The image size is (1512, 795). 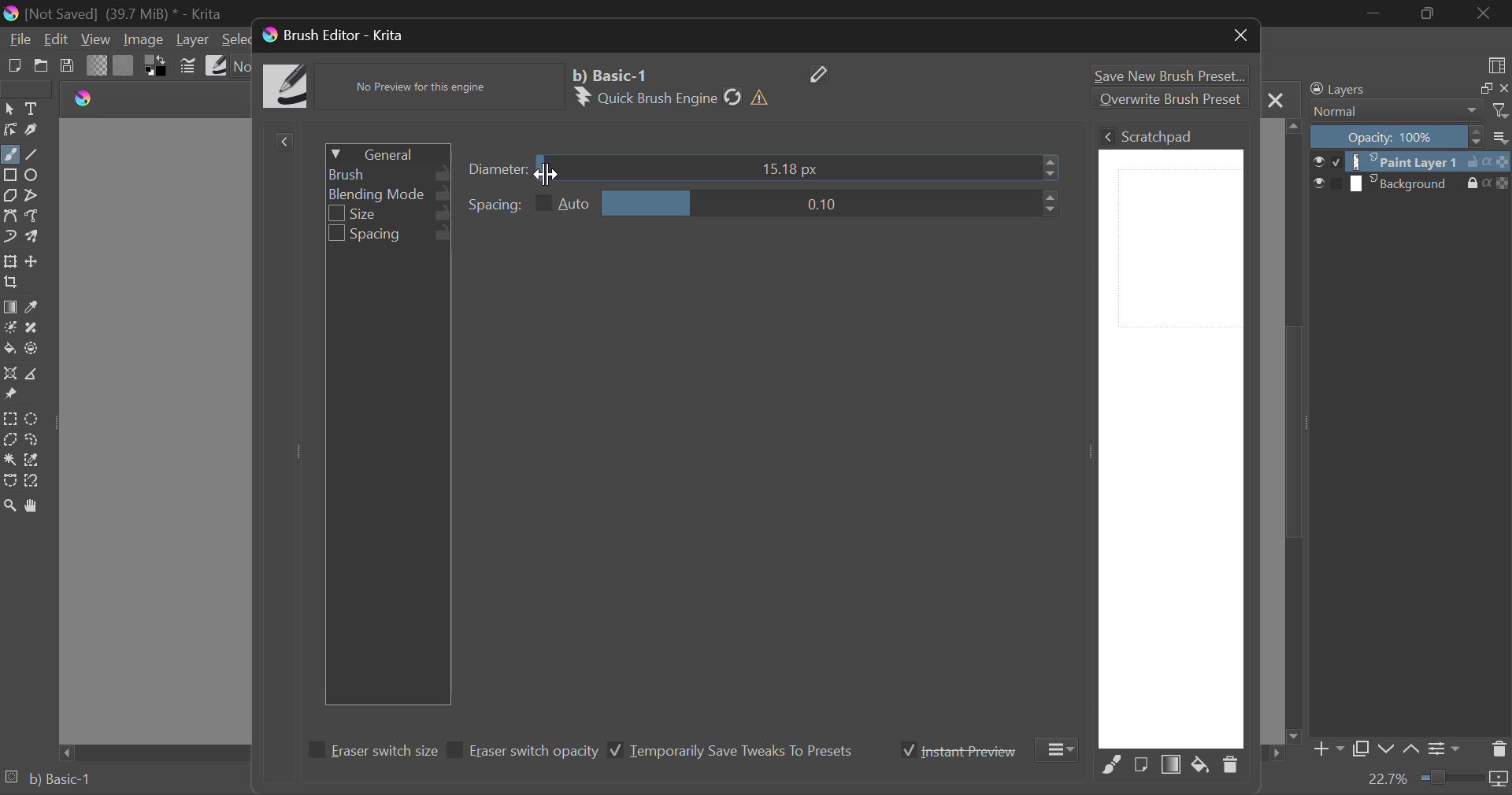 What do you see at coordinates (495, 169) in the screenshot?
I see `diameter` at bounding box center [495, 169].